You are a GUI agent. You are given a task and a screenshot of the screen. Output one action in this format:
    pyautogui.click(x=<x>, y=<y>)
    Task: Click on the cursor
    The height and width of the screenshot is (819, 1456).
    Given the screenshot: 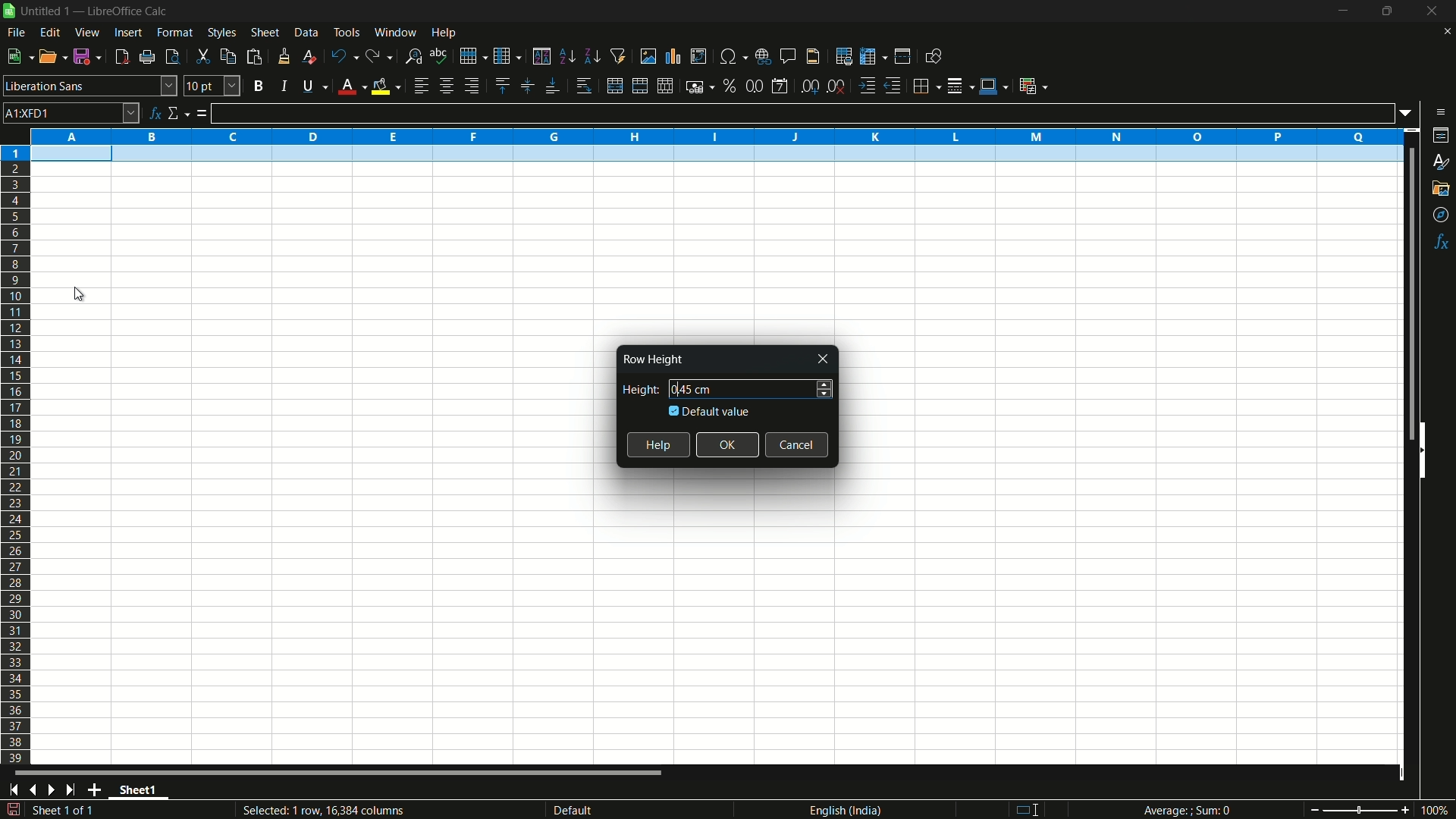 What is the action you would take?
    pyautogui.click(x=85, y=296)
    